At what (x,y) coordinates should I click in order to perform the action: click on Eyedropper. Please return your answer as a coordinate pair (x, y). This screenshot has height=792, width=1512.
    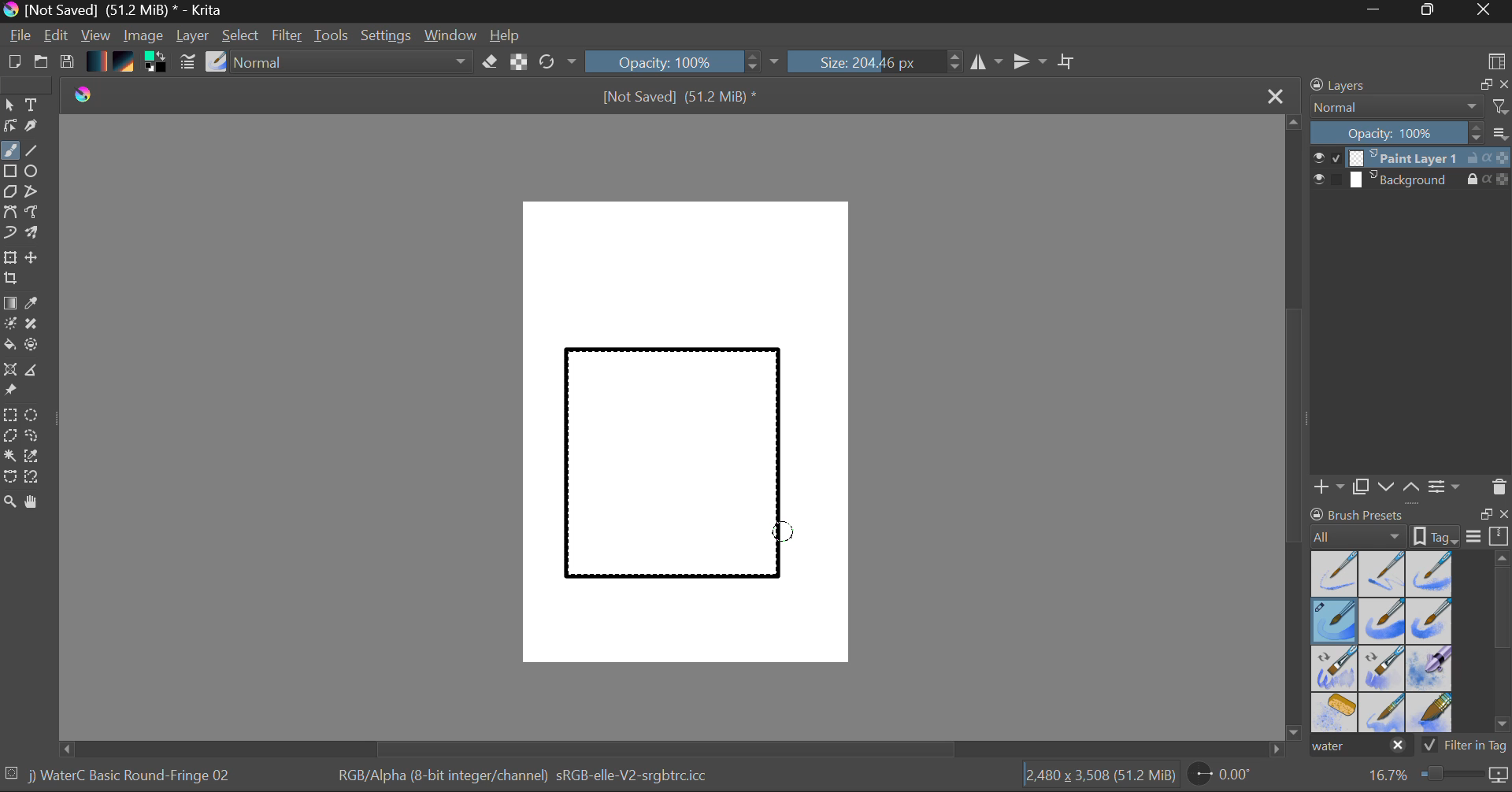
    Looking at the image, I should click on (35, 304).